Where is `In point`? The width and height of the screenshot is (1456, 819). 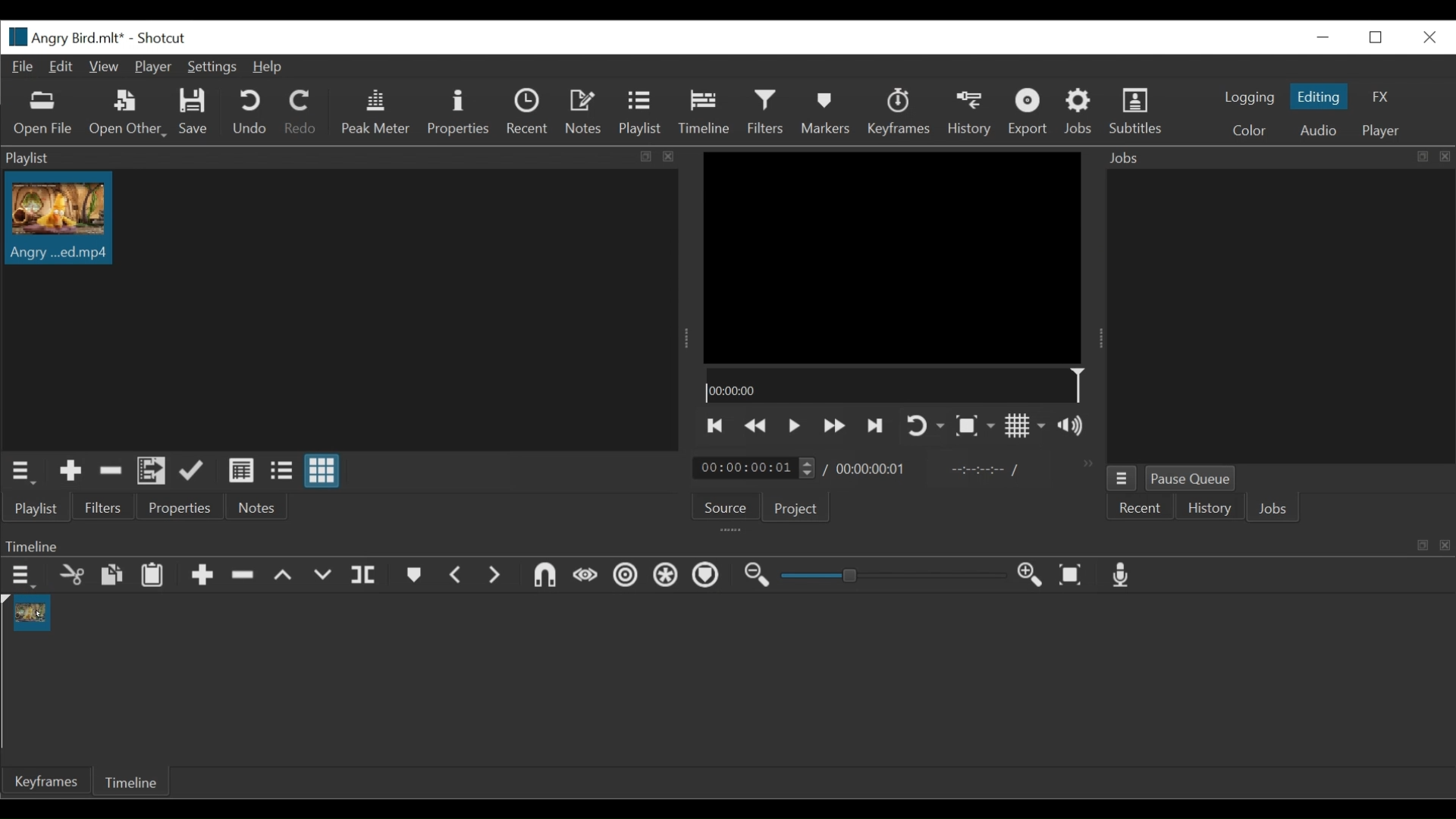
In point is located at coordinates (984, 470).